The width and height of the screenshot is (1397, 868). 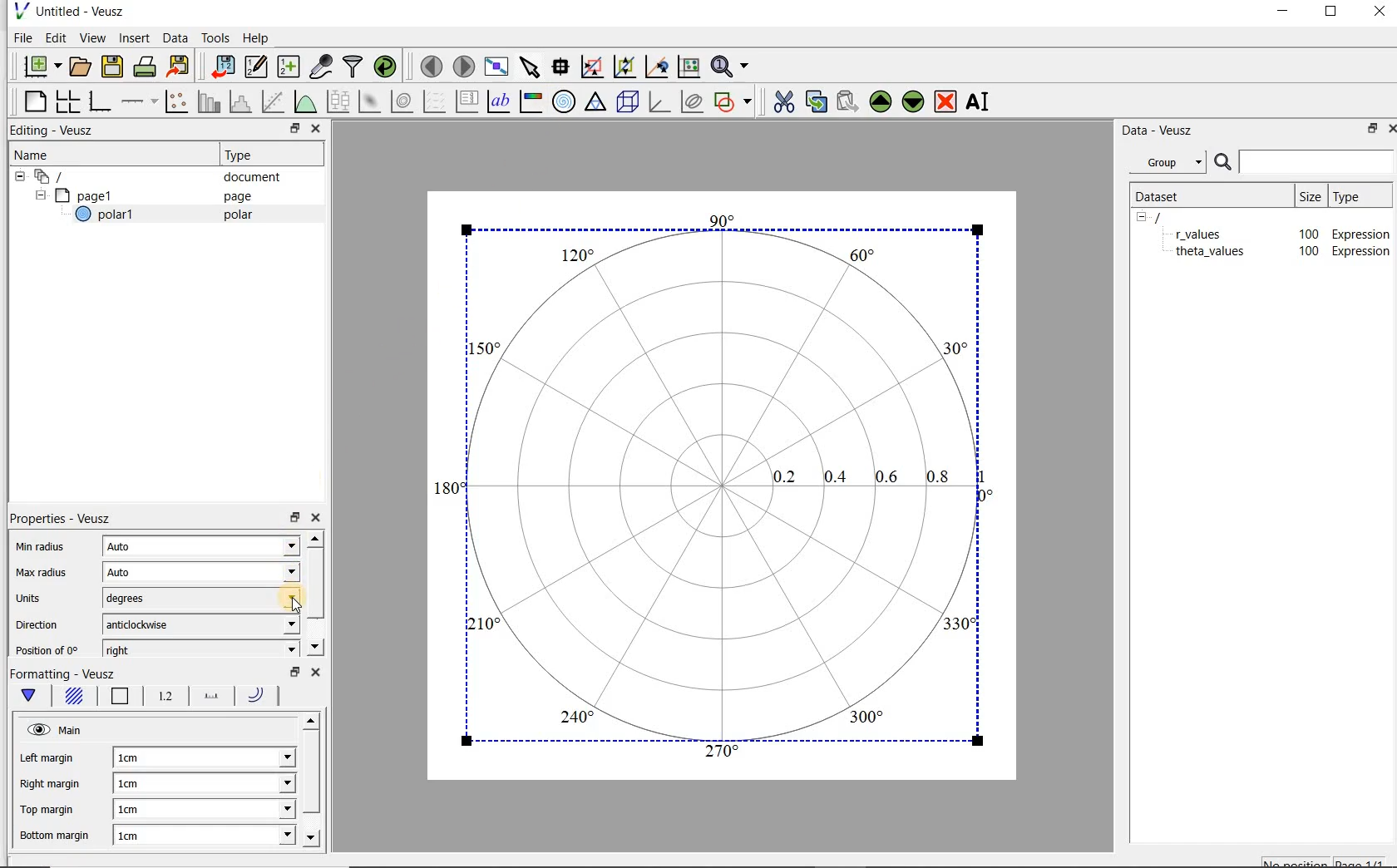 I want to click on page, so click(x=234, y=196).